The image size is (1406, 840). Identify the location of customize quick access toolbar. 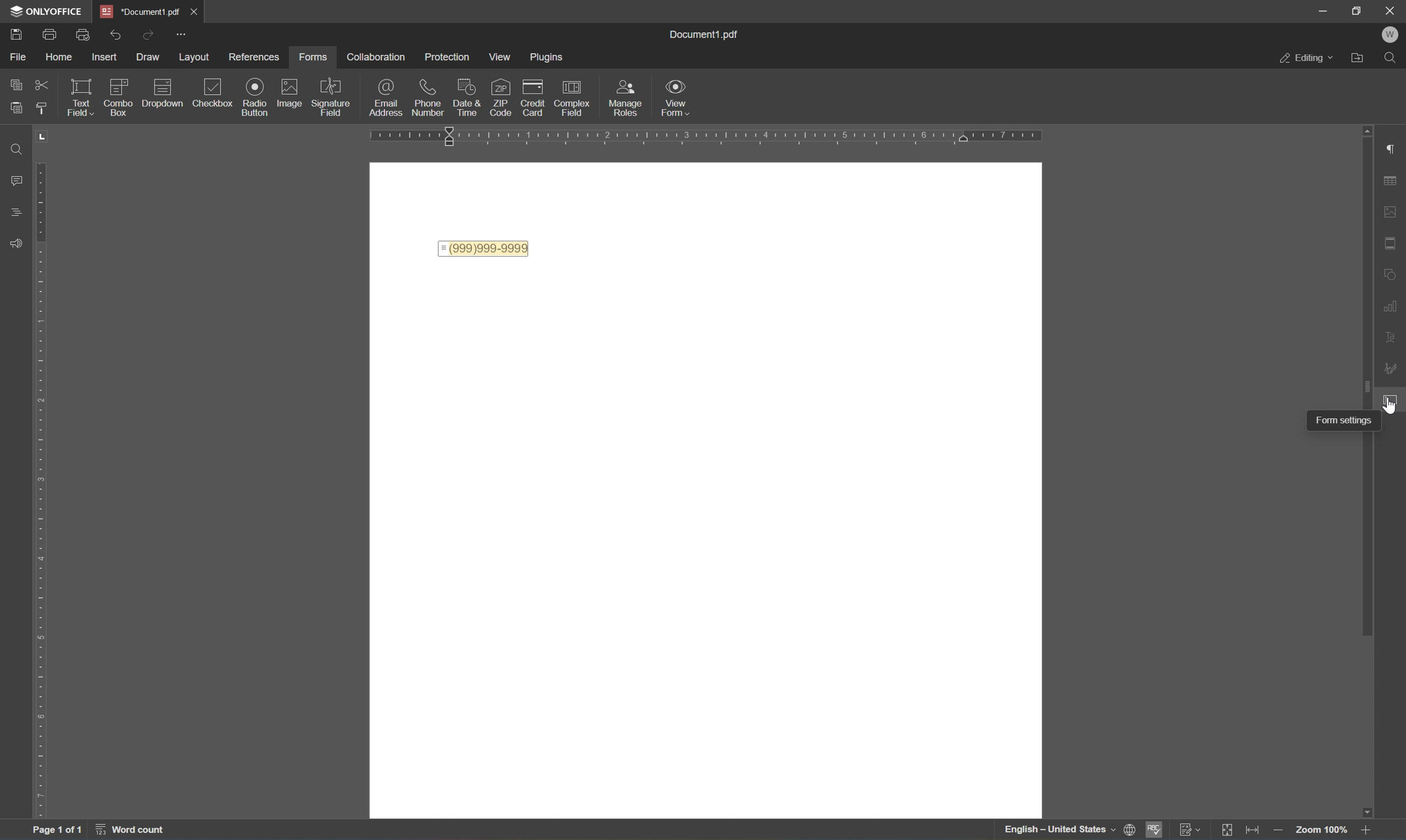
(180, 33).